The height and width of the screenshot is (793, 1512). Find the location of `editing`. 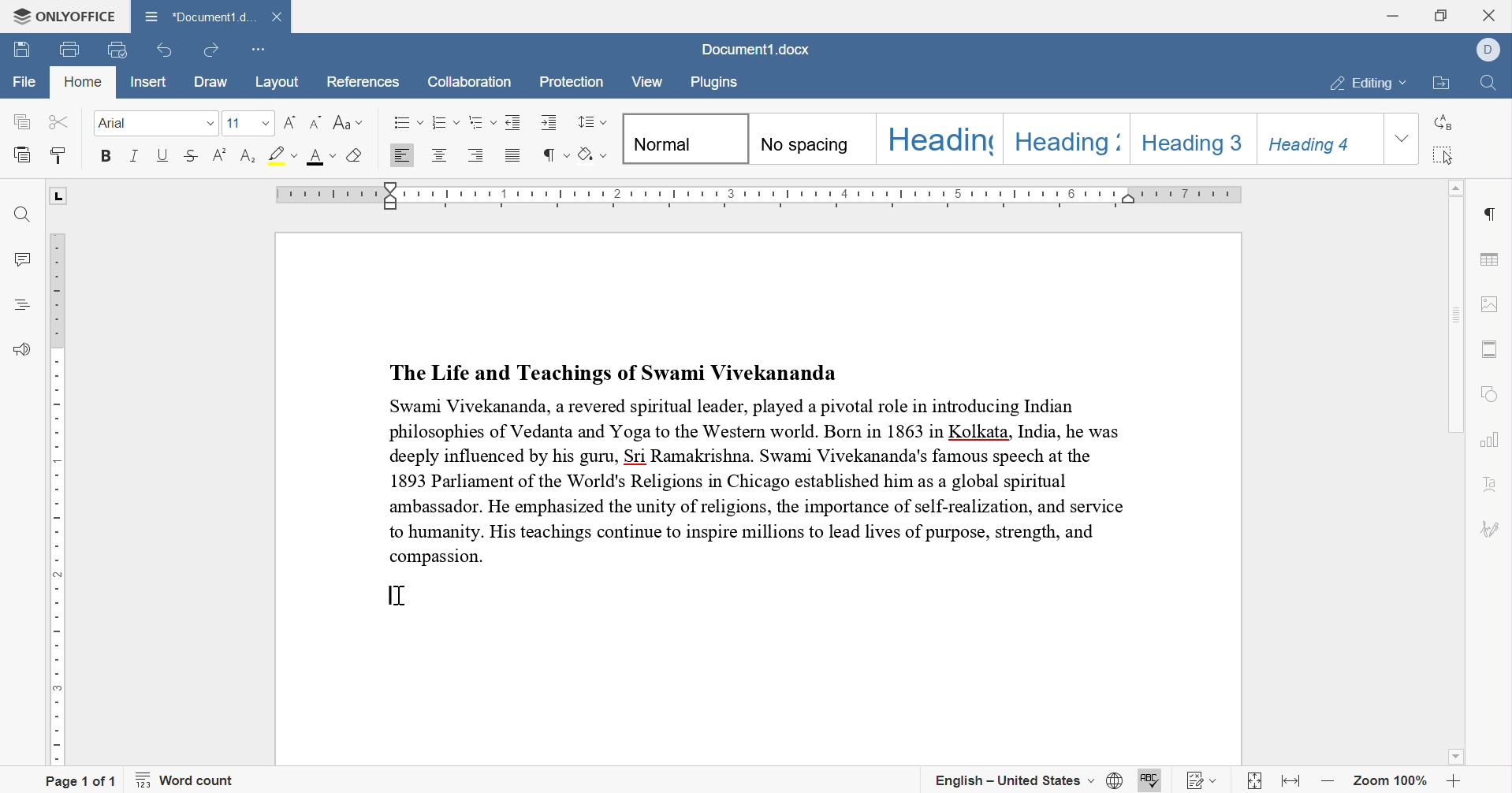

editing is located at coordinates (1370, 85).